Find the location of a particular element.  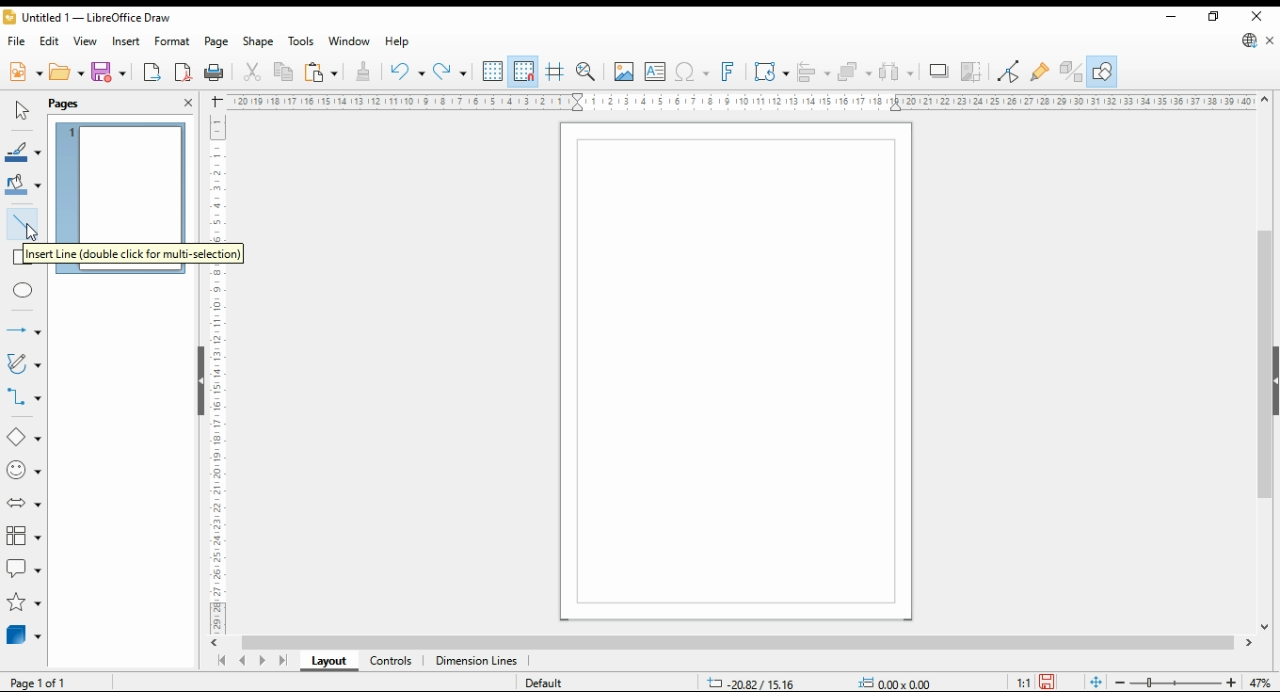

helplines while moving is located at coordinates (554, 72).